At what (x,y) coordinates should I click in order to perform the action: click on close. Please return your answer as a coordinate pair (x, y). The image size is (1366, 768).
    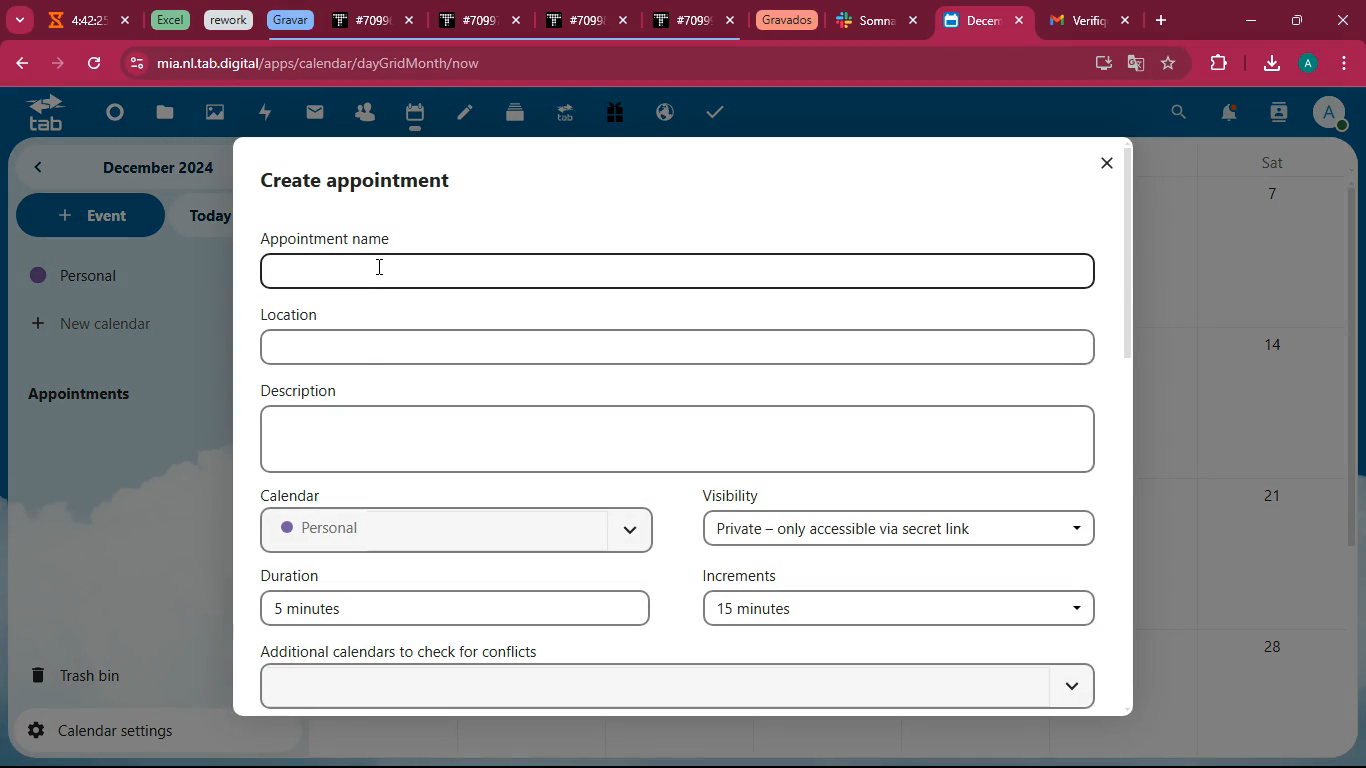
    Looking at the image, I should click on (1106, 163).